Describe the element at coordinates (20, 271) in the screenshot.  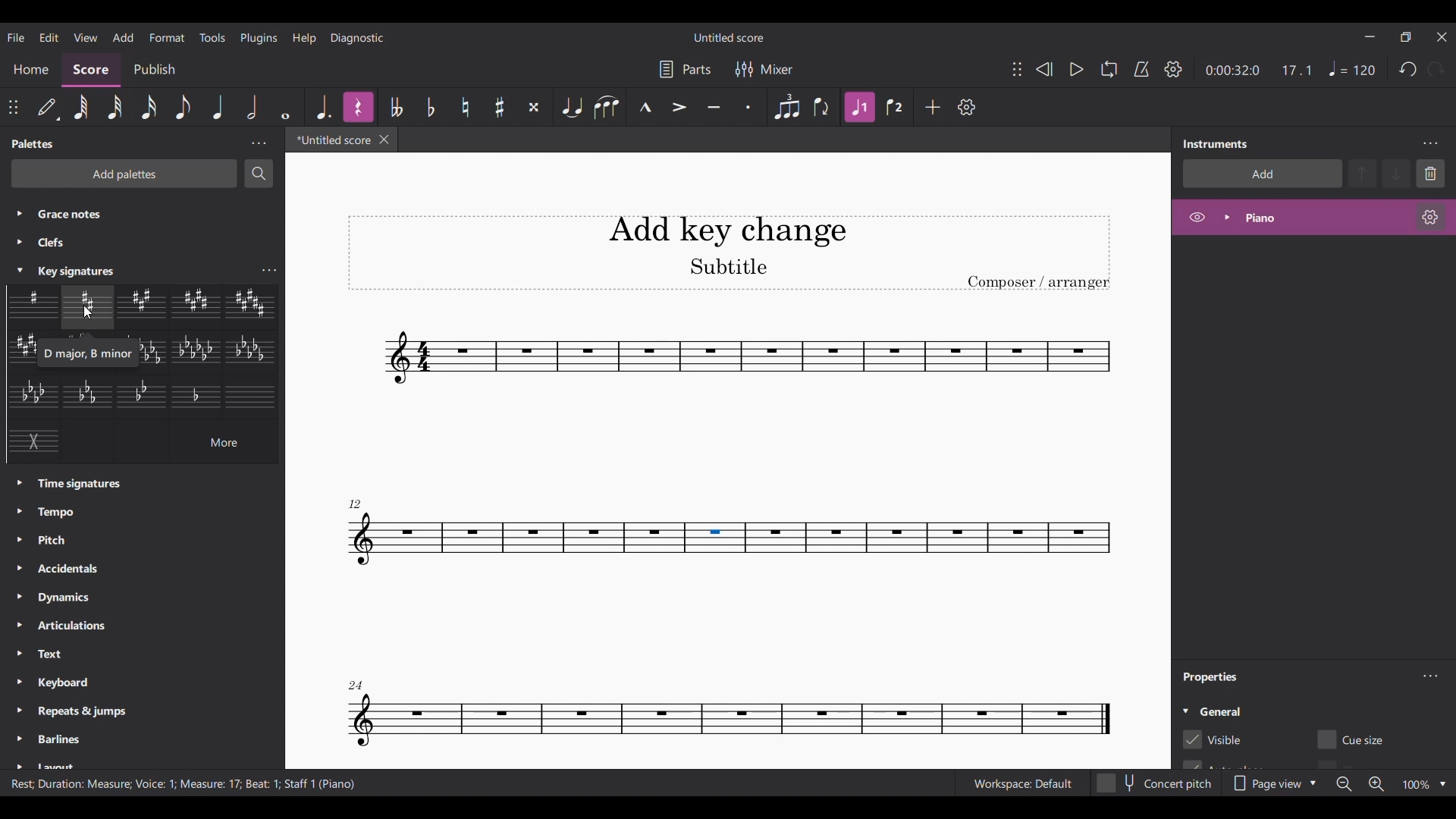
I see `Collapse Key Signature` at that location.